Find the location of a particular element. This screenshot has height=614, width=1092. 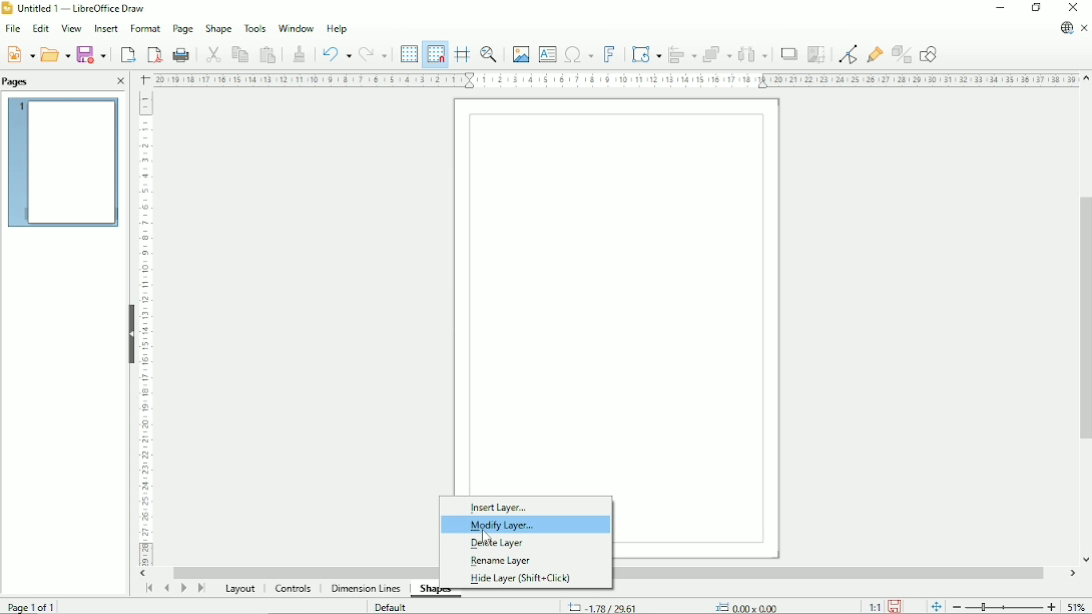

Default is located at coordinates (392, 606).